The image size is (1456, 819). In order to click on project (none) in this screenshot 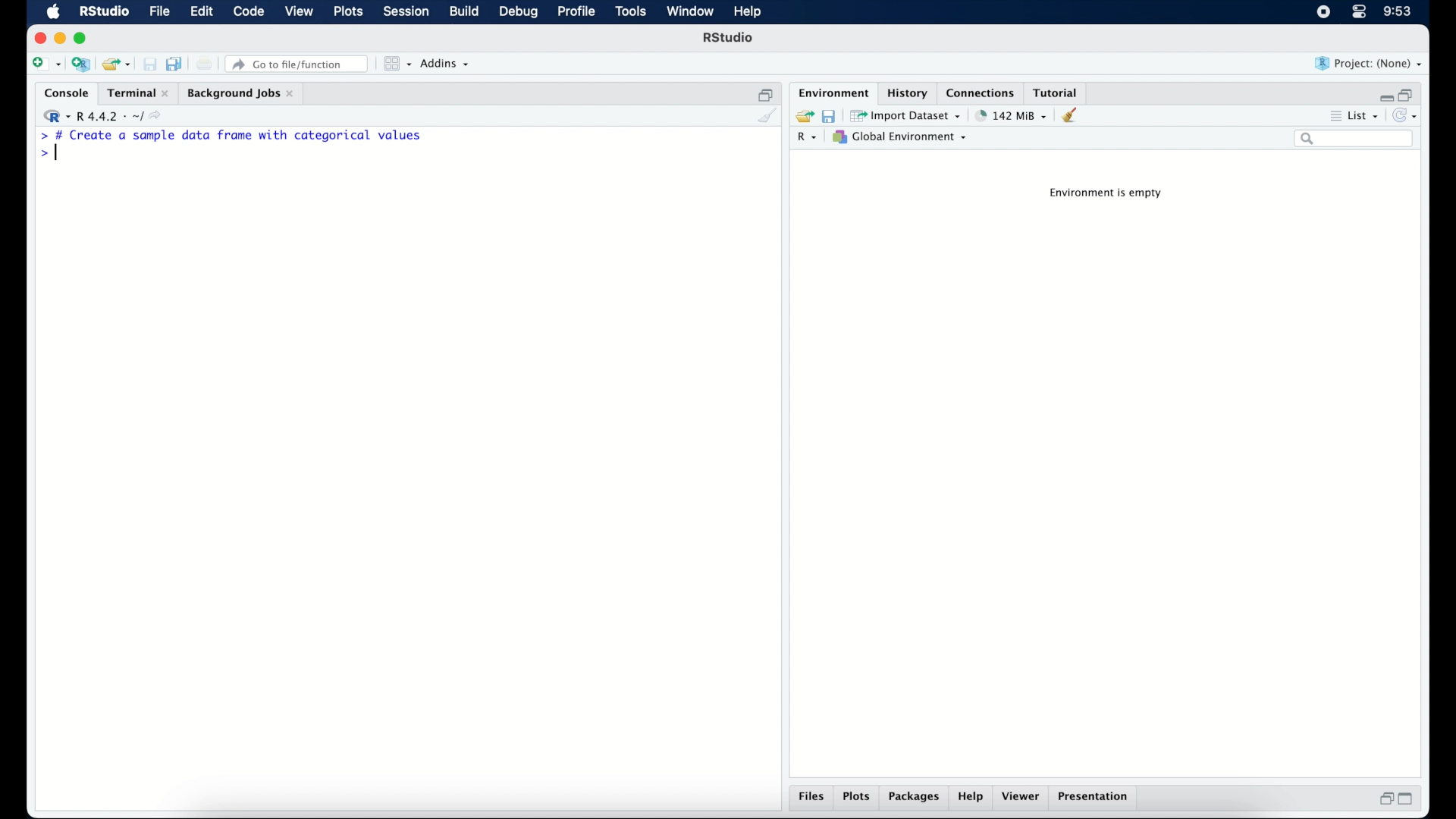, I will do `click(1369, 63)`.